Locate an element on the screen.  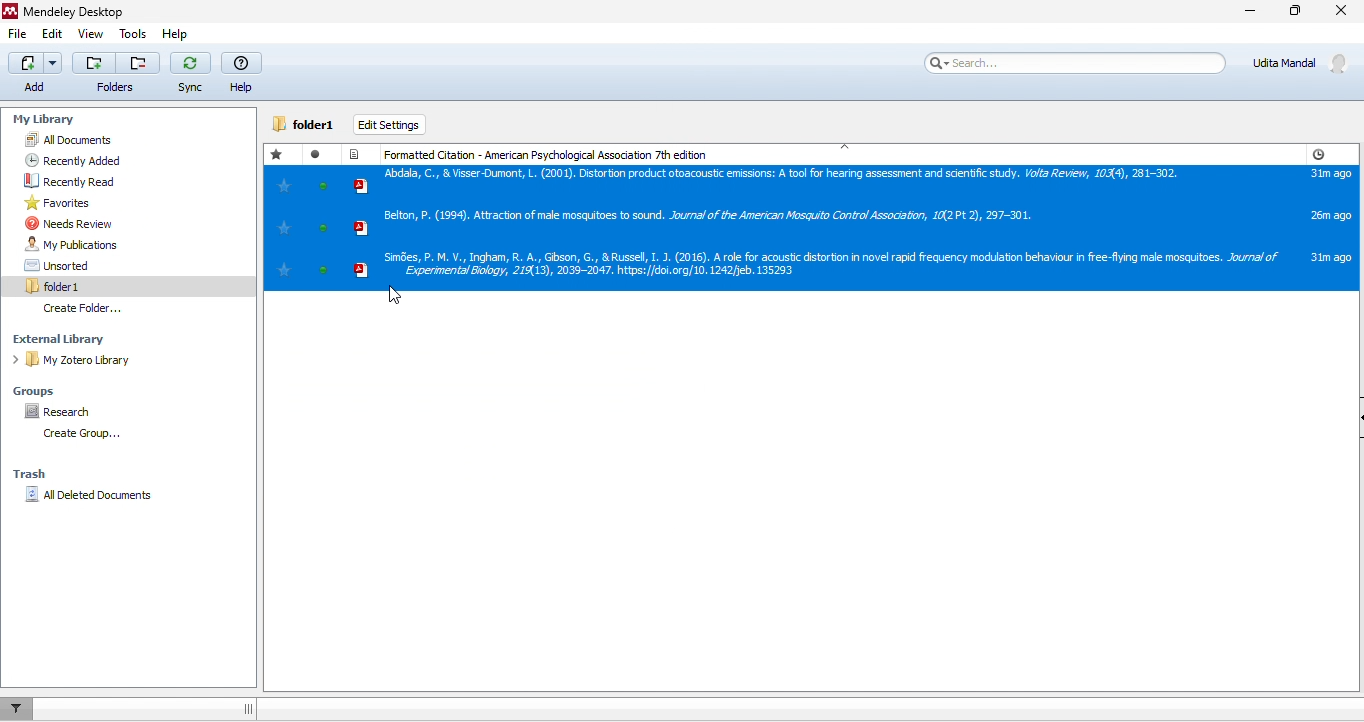
formatted citation APA 7 th is located at coordinates (552, 152).